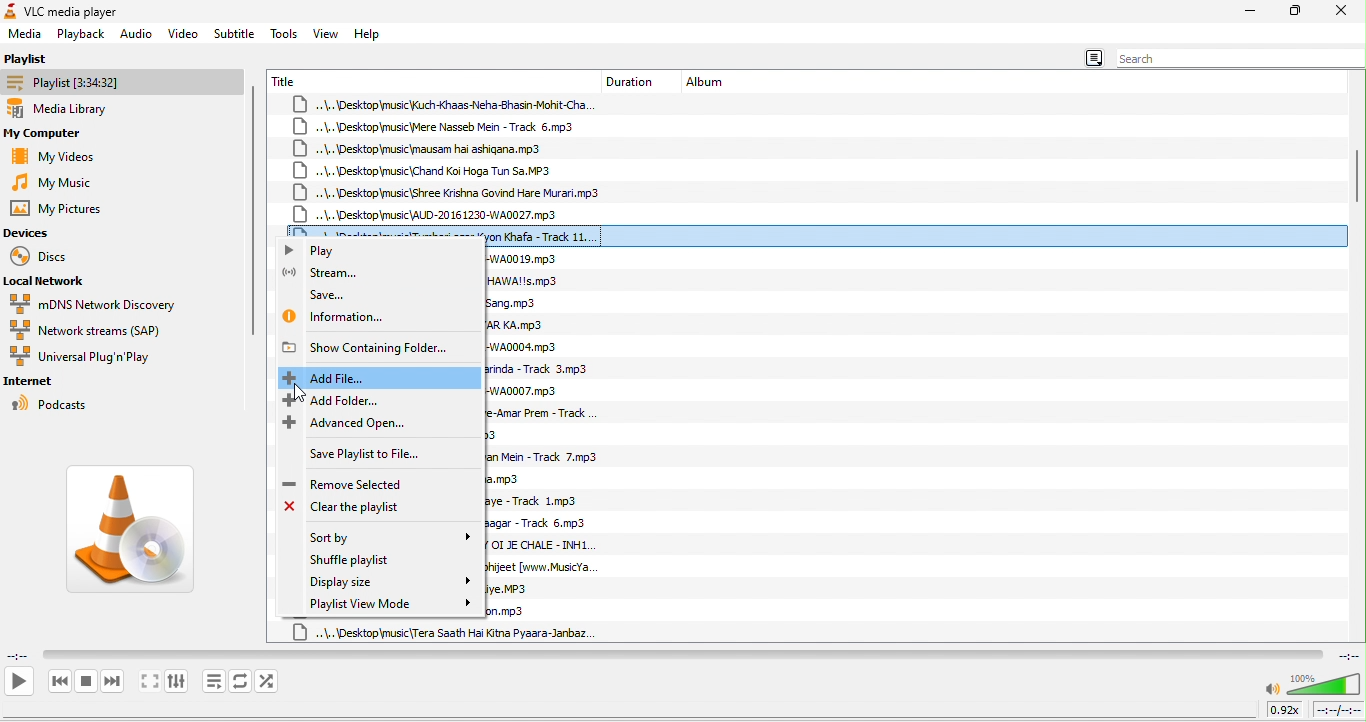 This screenshot has height=722, width=1366. What do you see at coordinates (1092, 59) in the screenshot?
I see `menu` at bounding box center [1092, 59].